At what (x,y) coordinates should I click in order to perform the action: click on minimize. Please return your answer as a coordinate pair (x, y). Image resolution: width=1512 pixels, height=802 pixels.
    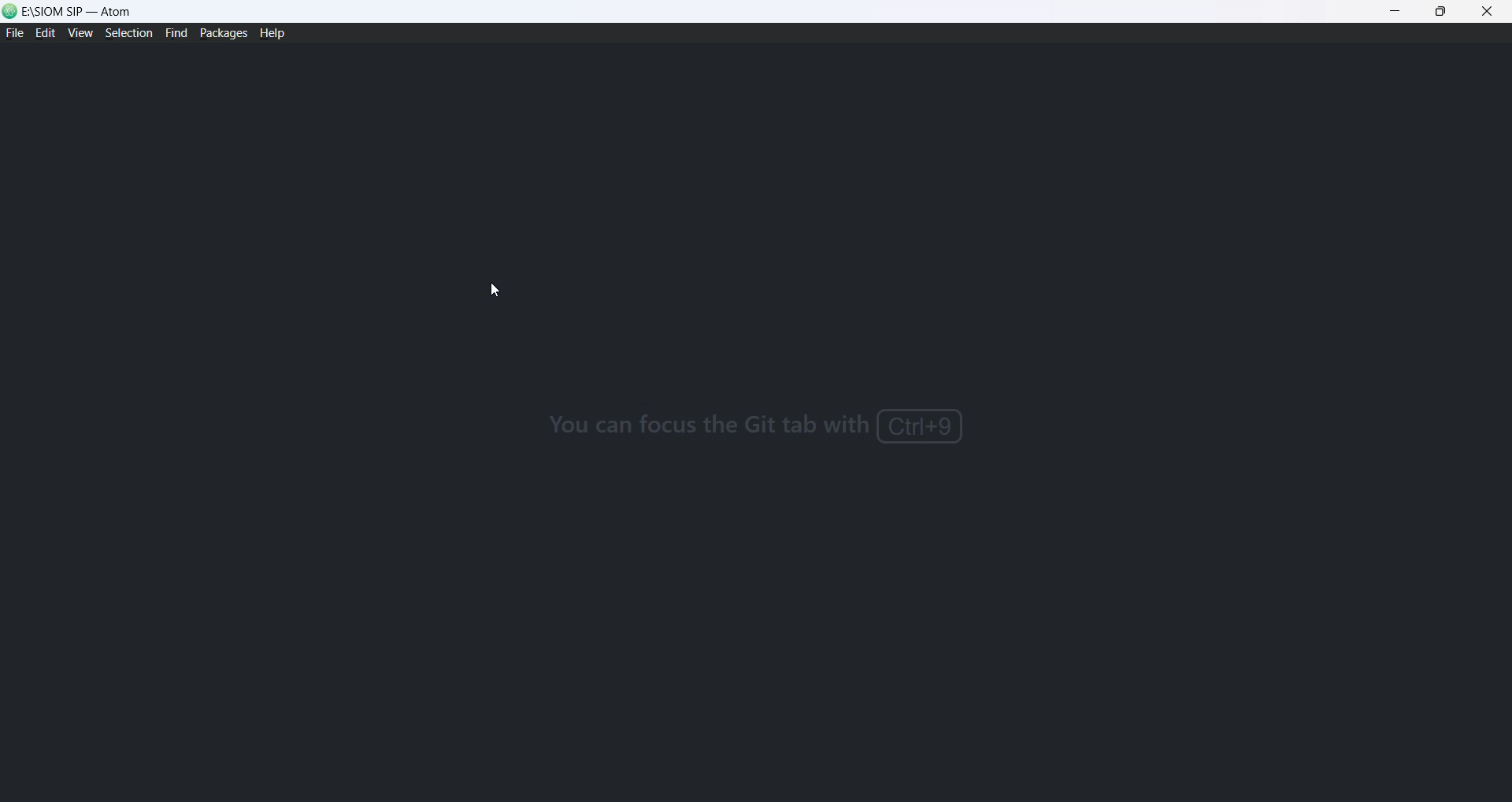
    Looking at the image, I should click on (1398, 13).